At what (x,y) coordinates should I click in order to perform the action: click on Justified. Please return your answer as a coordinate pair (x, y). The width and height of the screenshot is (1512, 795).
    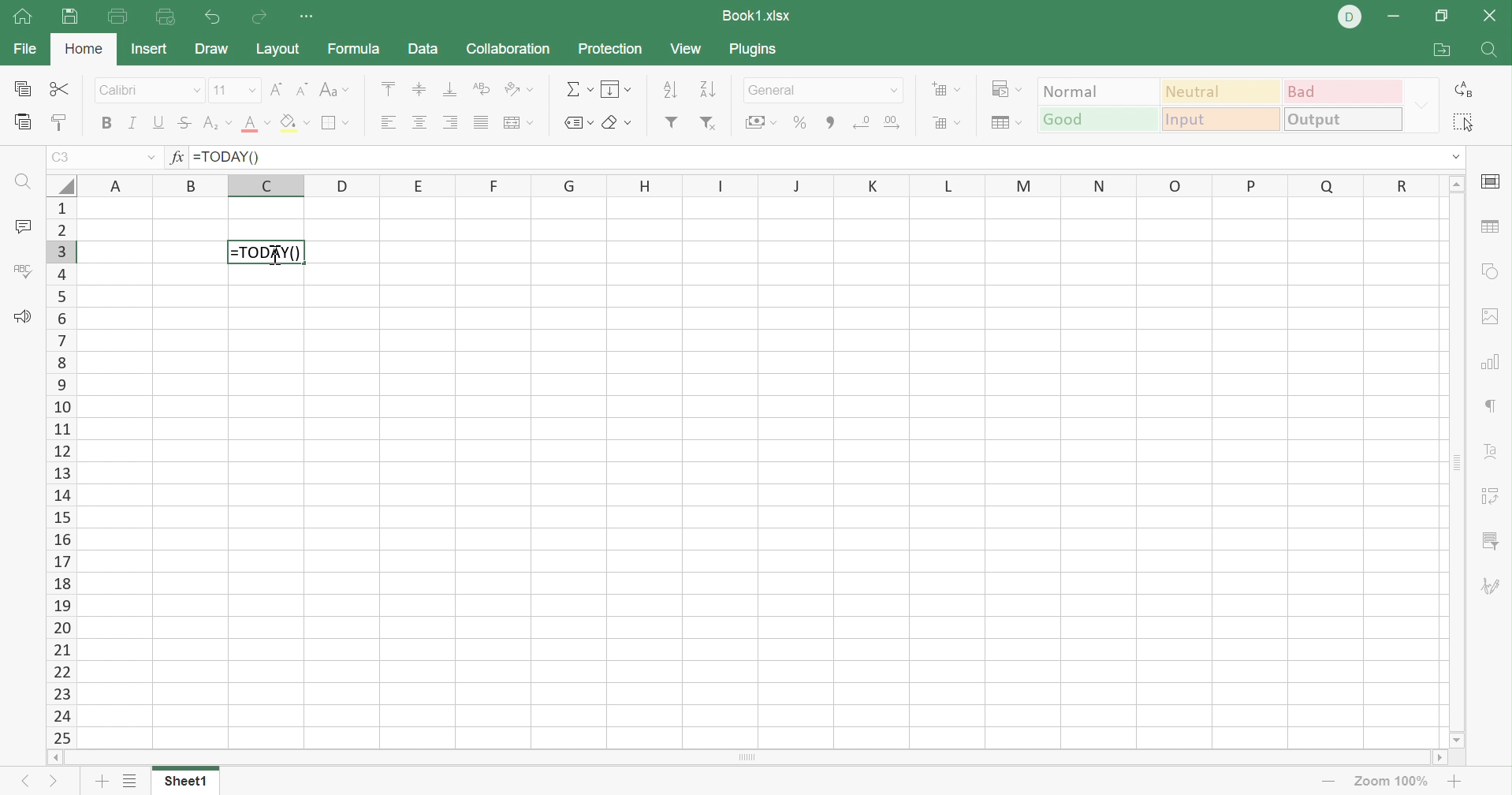
    Looking at the image, I should click on (479, 122).